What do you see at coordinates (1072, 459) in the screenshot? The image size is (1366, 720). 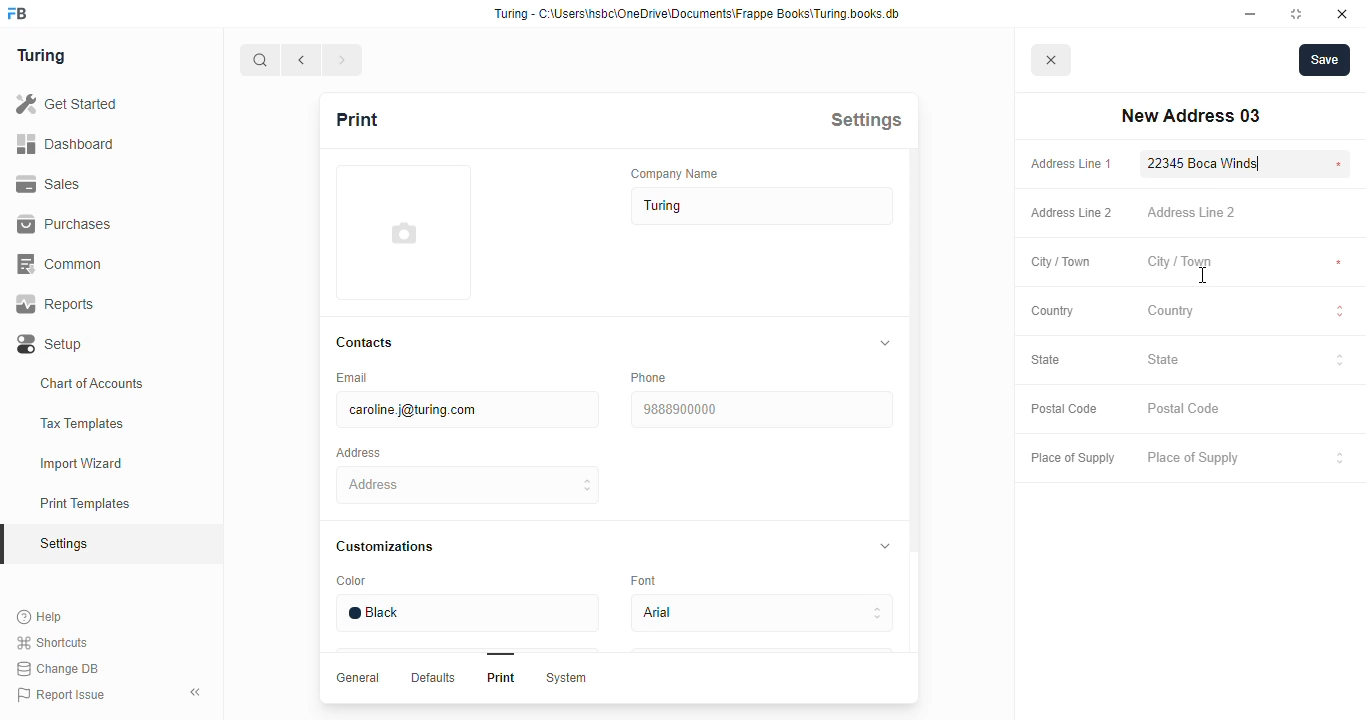 I see `place of supply` at bounding box center [1072, 459].